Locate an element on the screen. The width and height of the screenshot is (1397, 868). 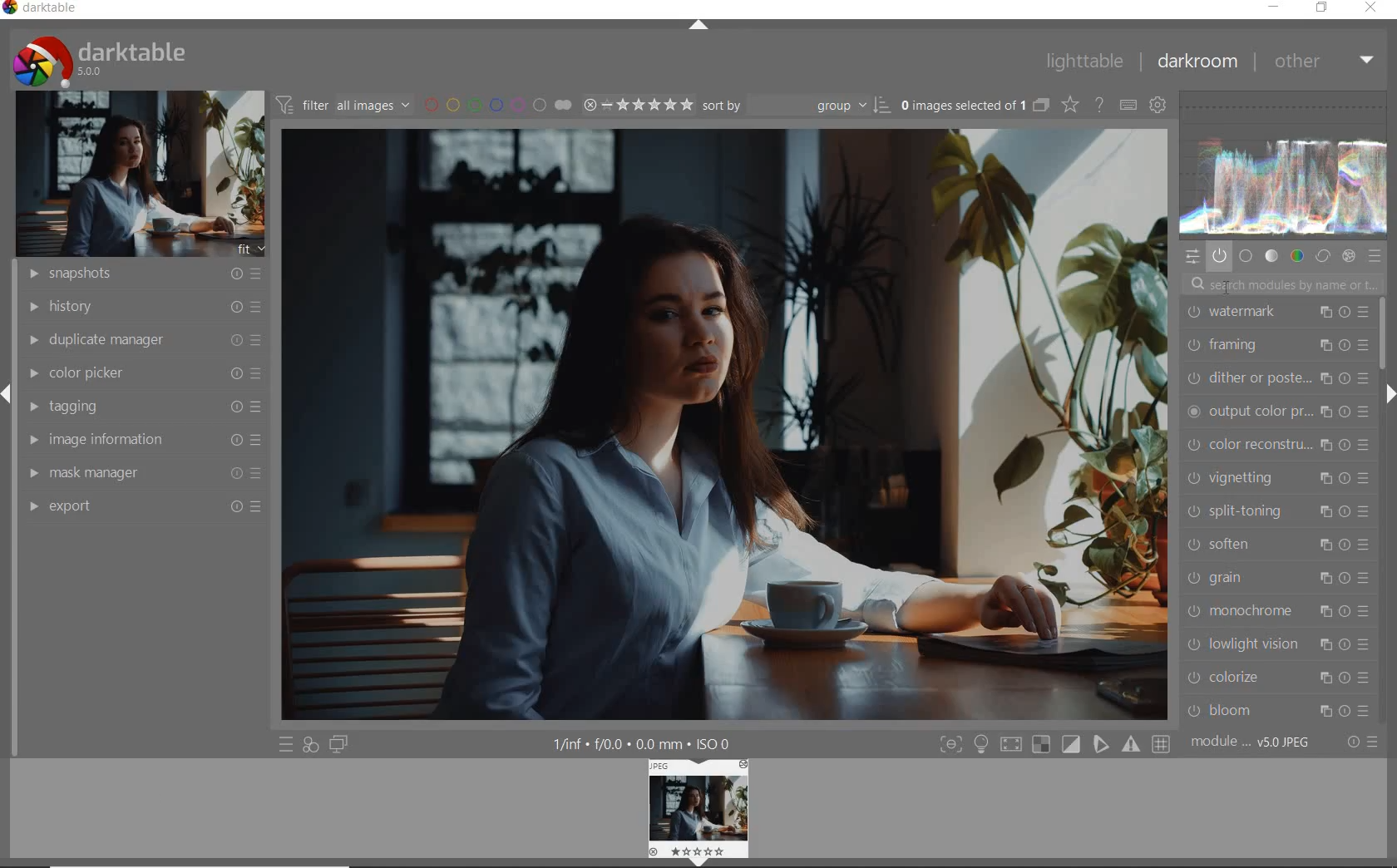
collapse grouped images is located at coordinates (1039, 106).